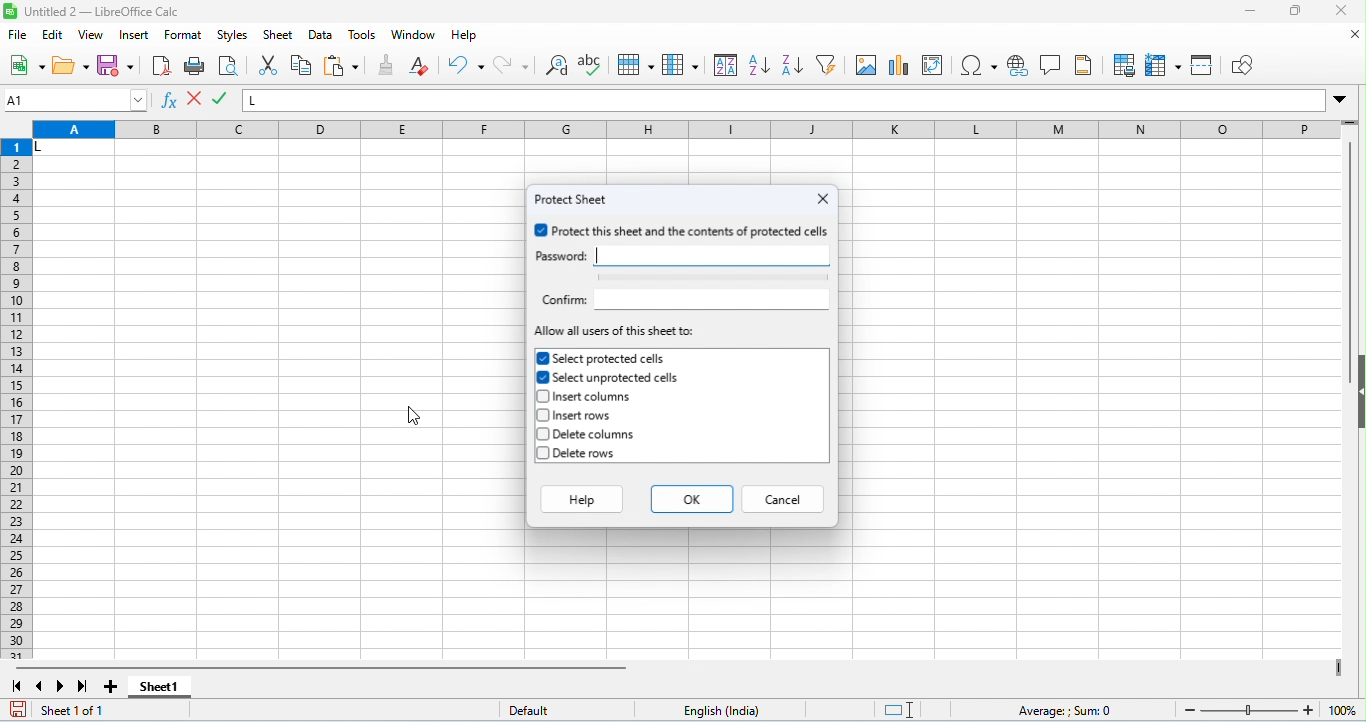 This screenshot has width=1366, height=722. Describe the element at coordinates (559, 67) in the screenshot. I see `find and replace` at that location.